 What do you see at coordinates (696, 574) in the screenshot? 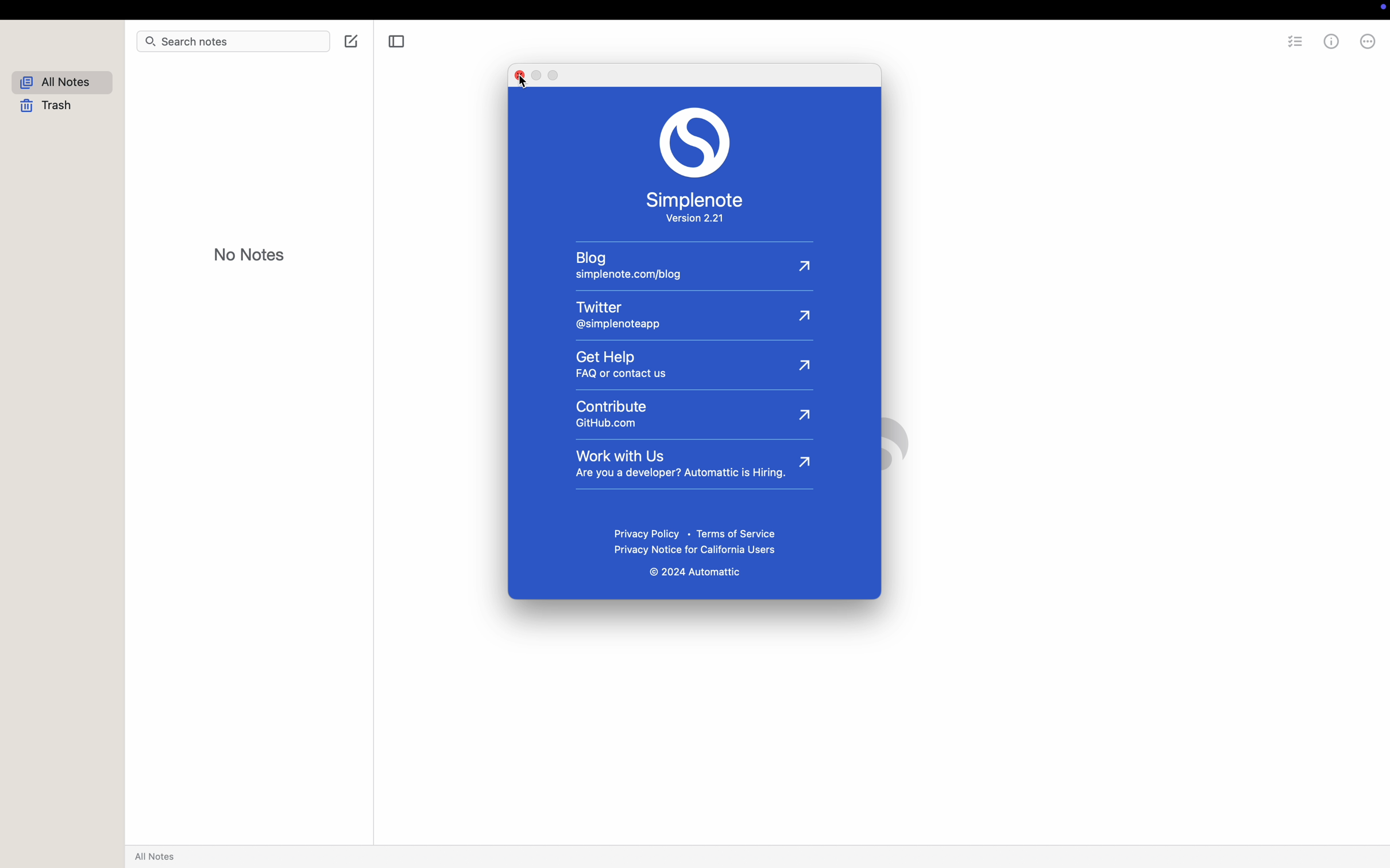
I see `2024 automatic` at bounding box center [696, 574].